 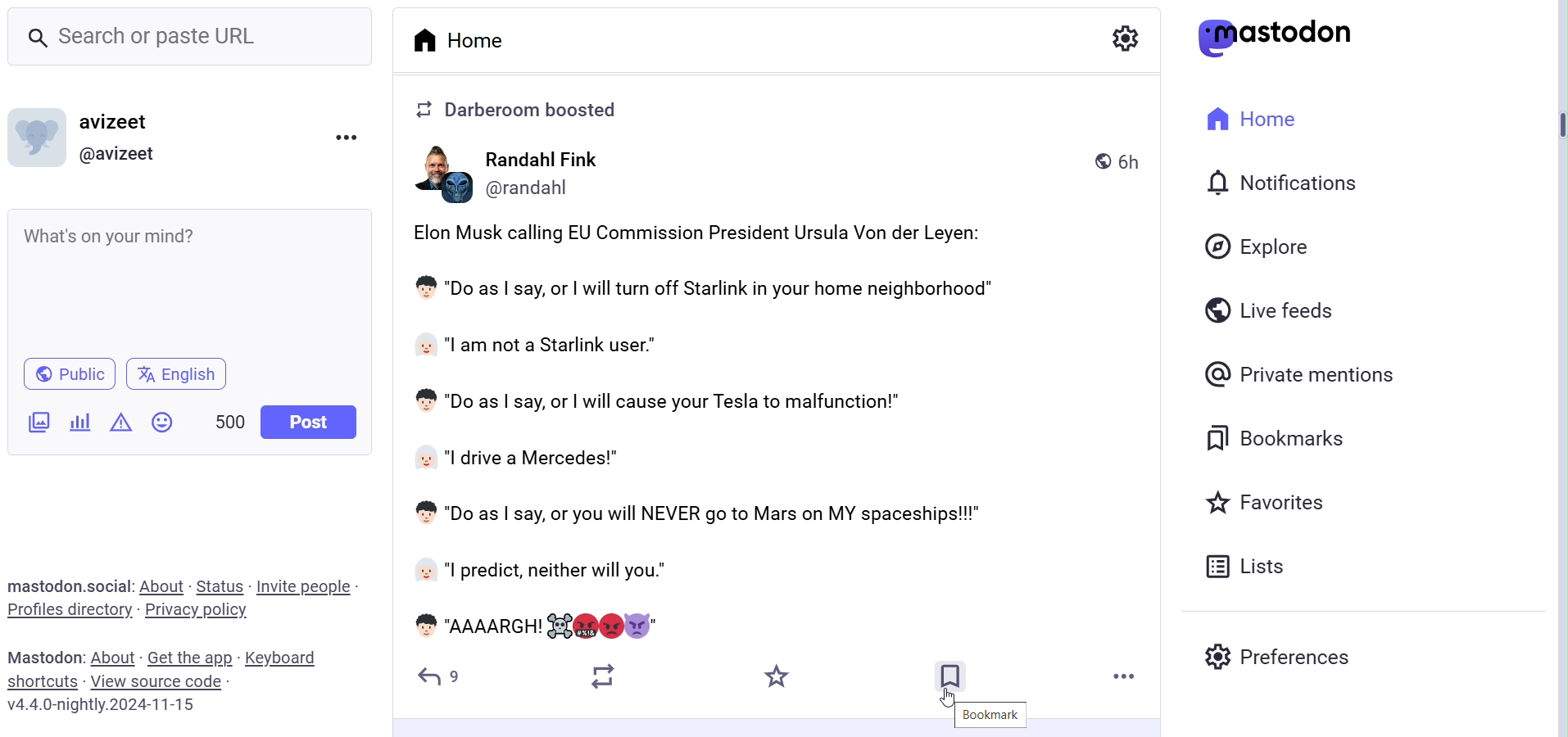 I want to click on ' "Do as | say, or | will cause your Tesla to malfunction!”, so click(x=657, y=404).